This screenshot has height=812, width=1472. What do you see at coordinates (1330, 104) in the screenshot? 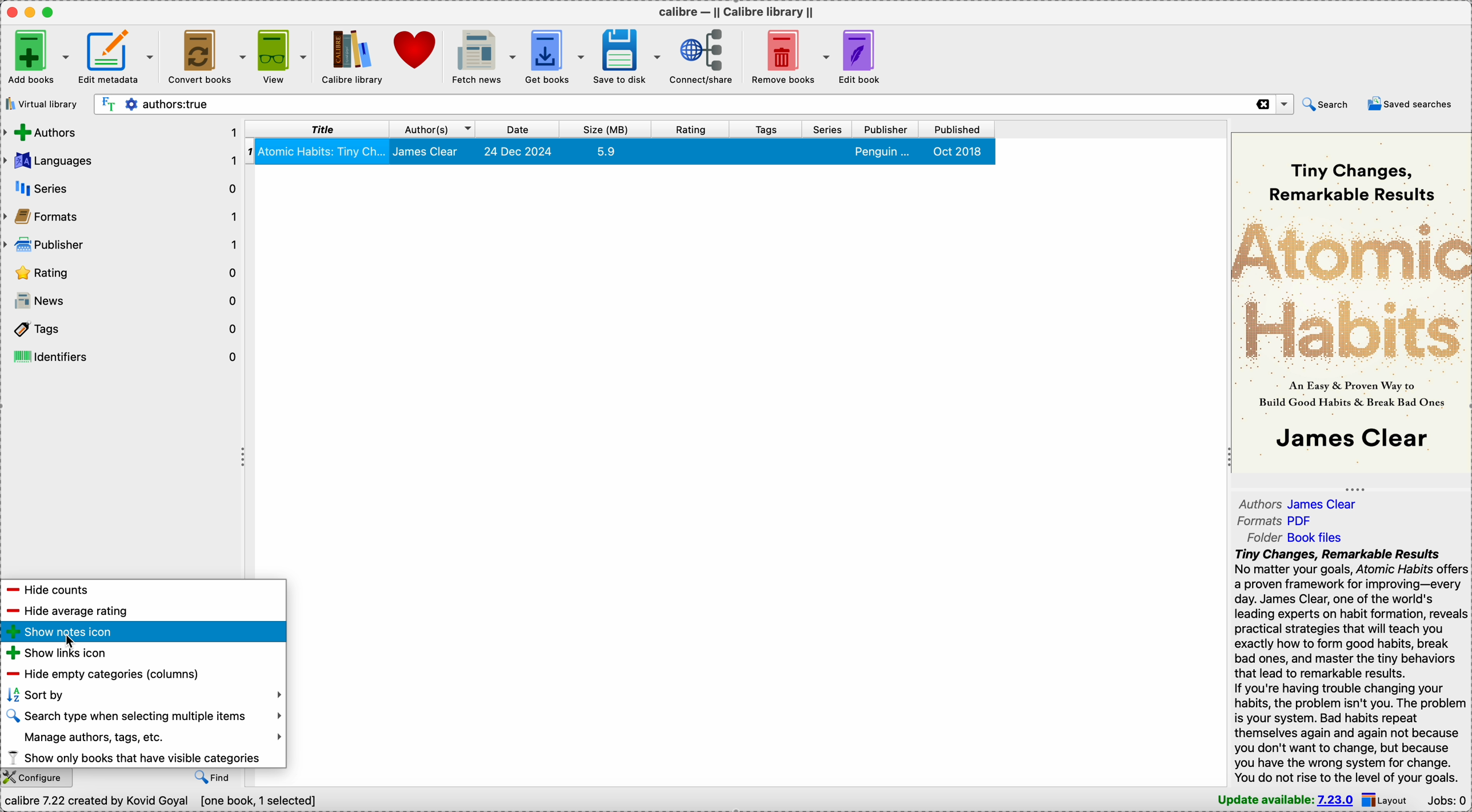
I see `search` at bounding box center [1330, 104].